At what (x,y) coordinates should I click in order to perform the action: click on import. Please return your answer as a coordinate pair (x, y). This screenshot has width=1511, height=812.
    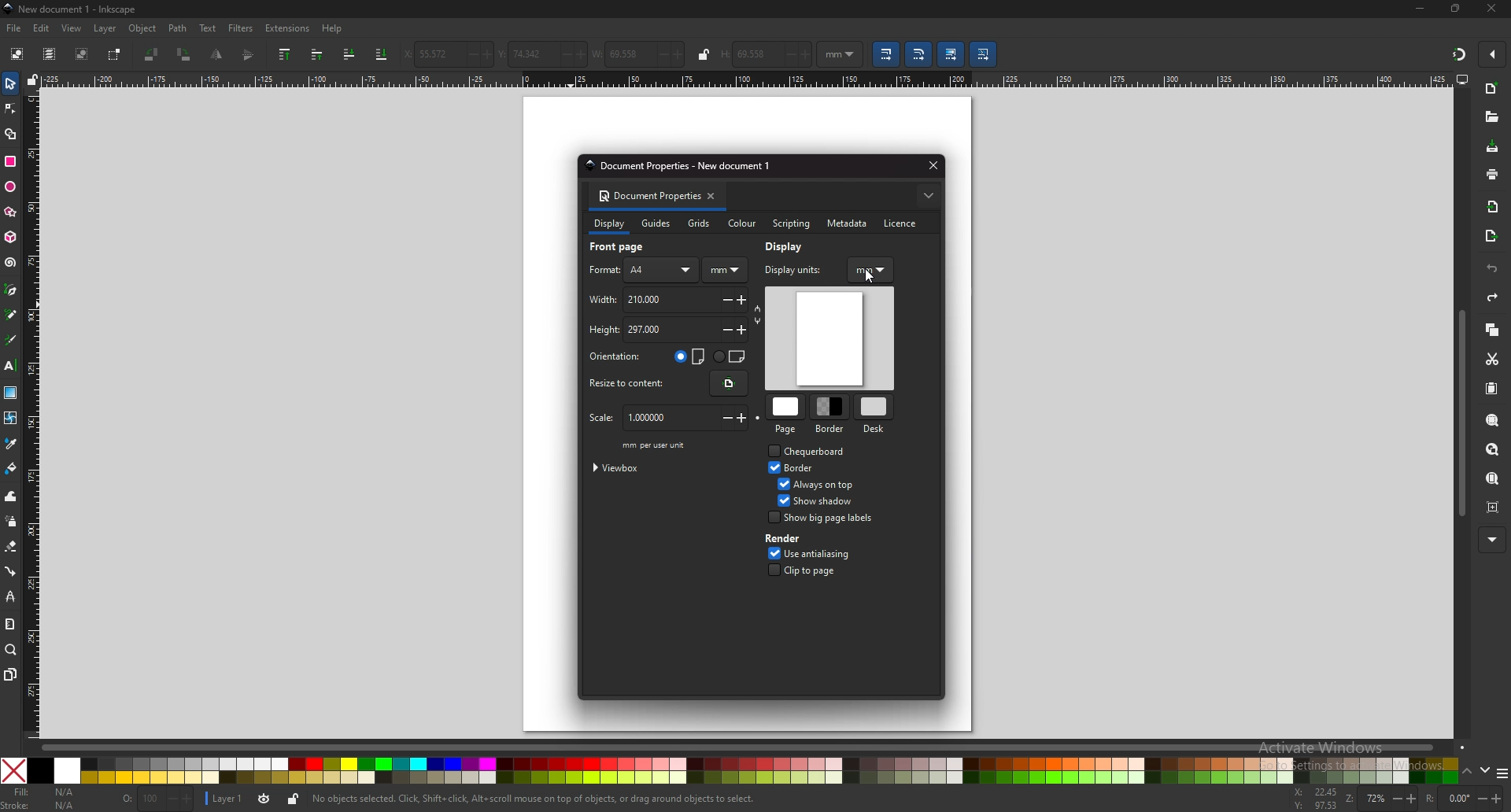
    Looking at the image, I should click on (1494, 209).